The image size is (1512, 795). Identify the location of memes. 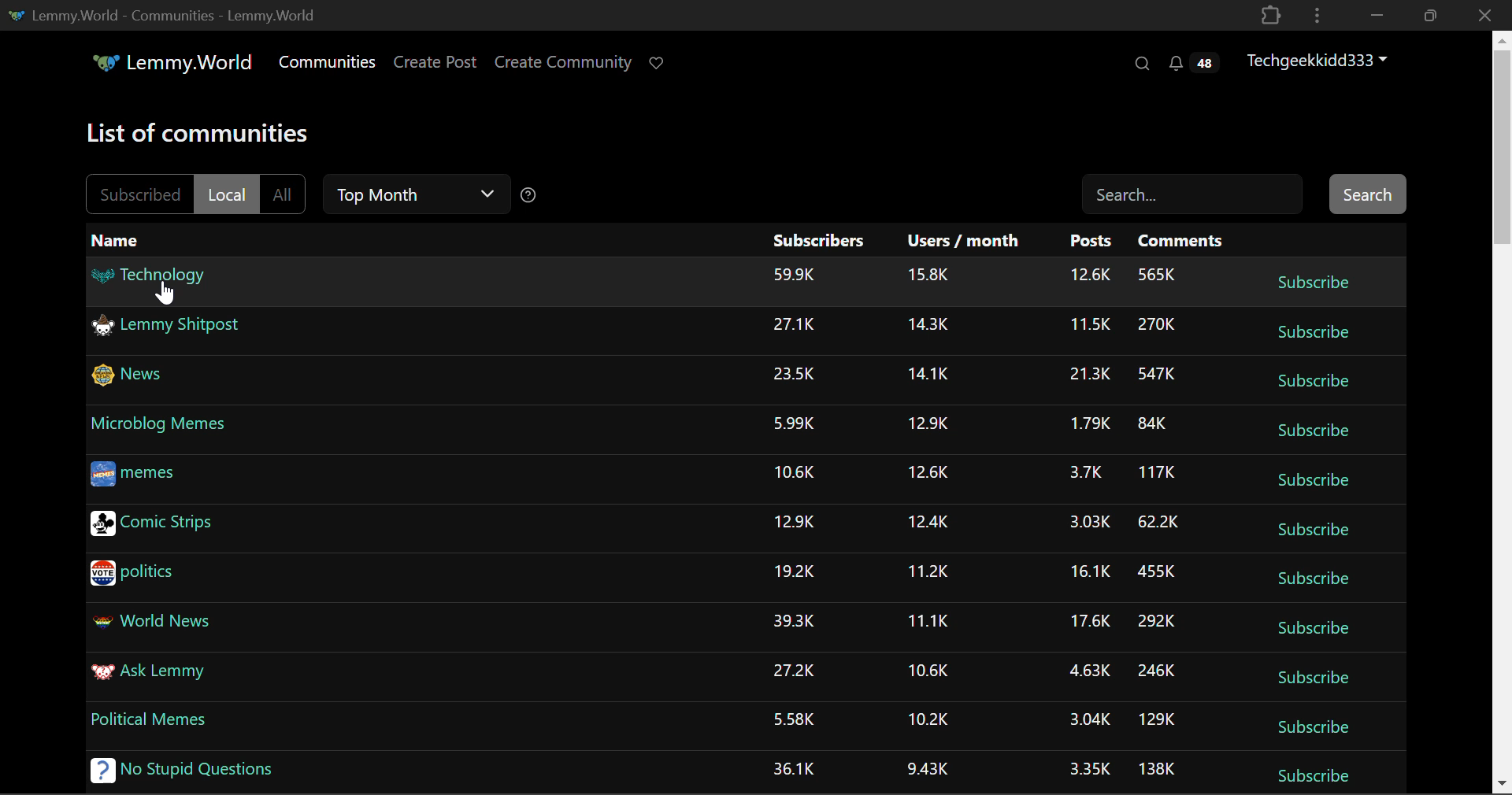
(134, 475).